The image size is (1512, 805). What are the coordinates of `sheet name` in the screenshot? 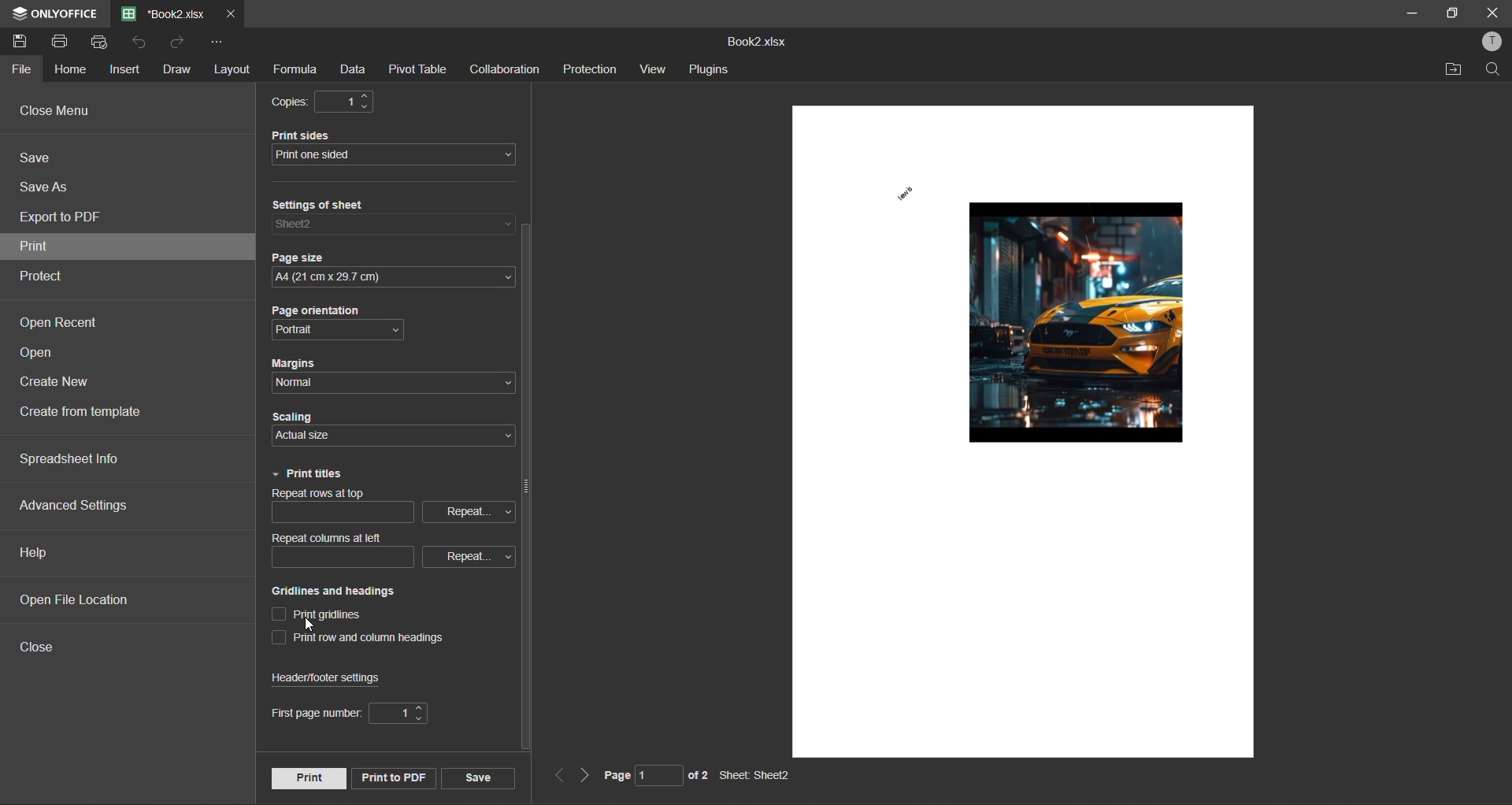 It's located at (753, 774).